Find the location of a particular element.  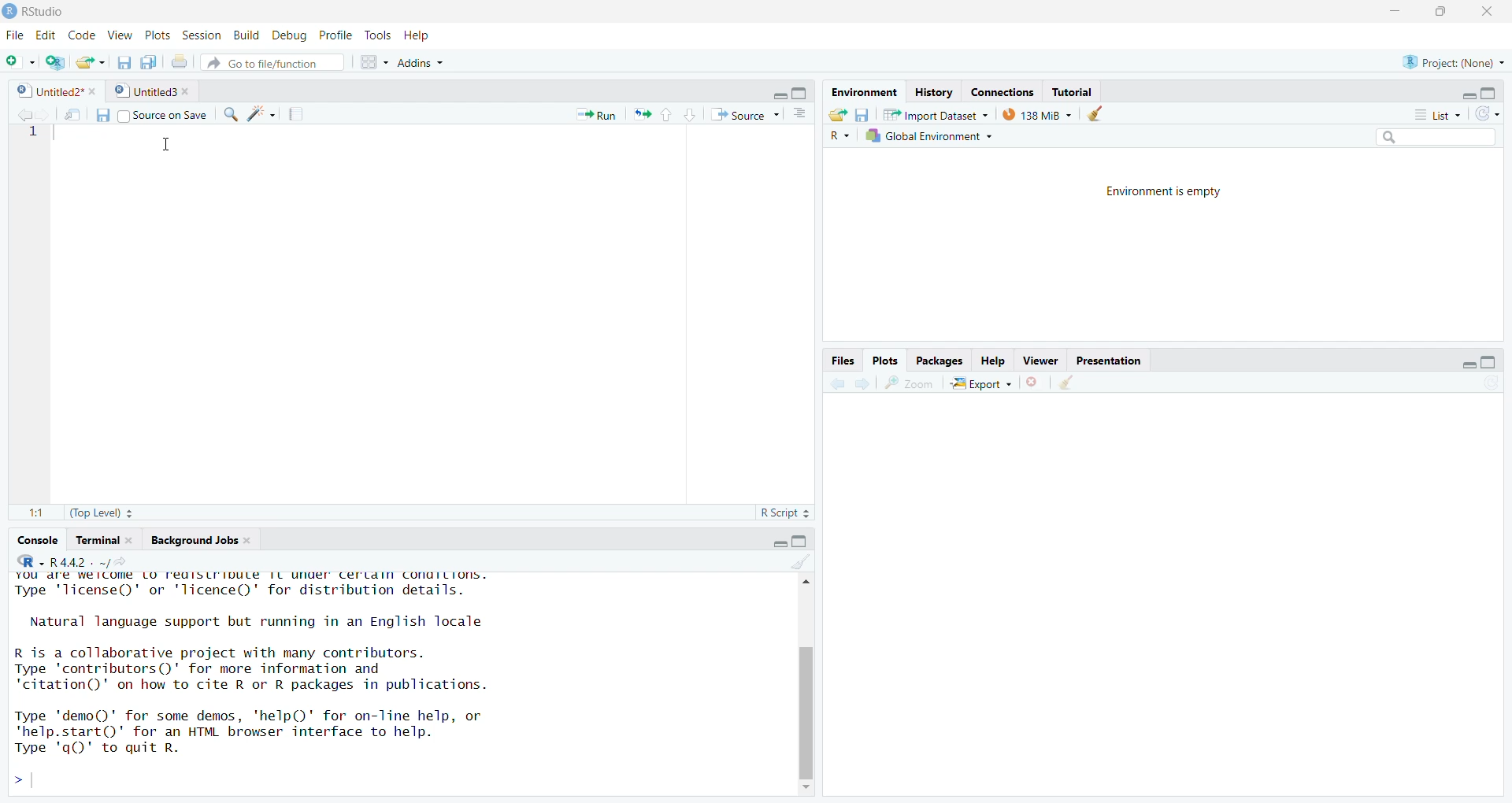

Files is located at coordinates (842, 359).